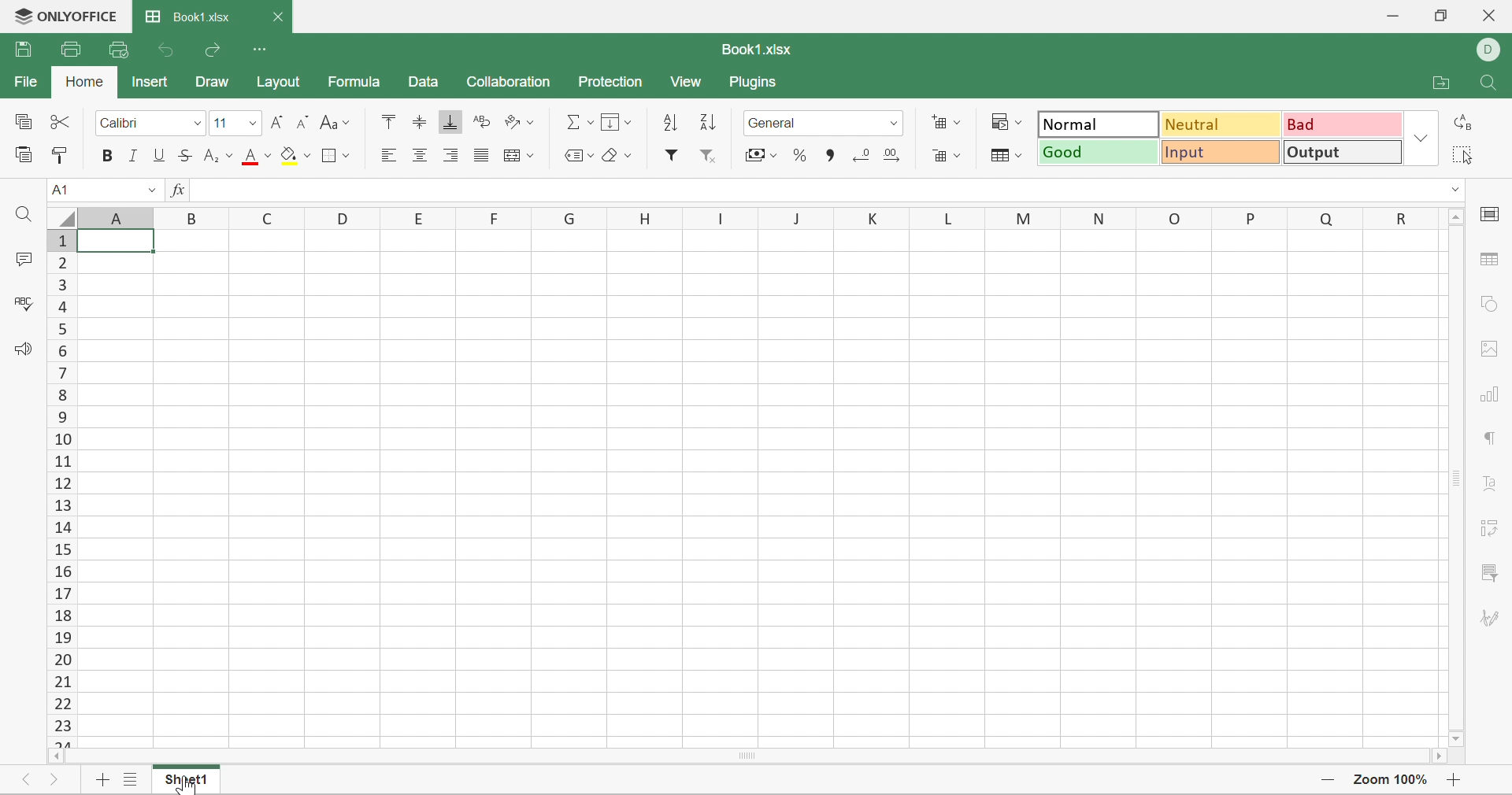 Image resolution: width=1512 pixels, height=795 pixels. What do you see at coordinates (24, 48) in the screenshot?
I see `Save` at bounding box center [24, 48].